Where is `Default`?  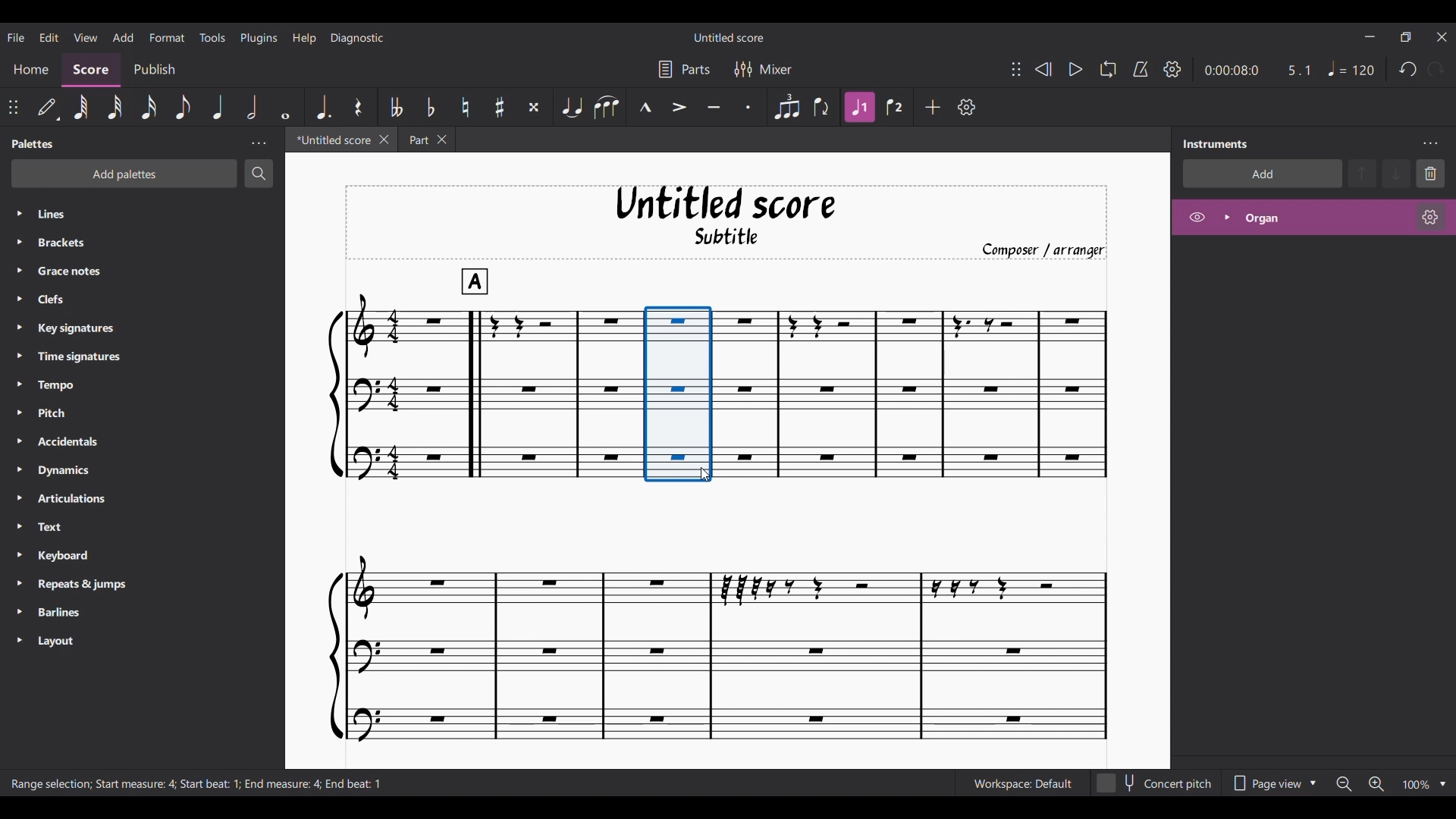
Default is located at coordinates (48, 107).